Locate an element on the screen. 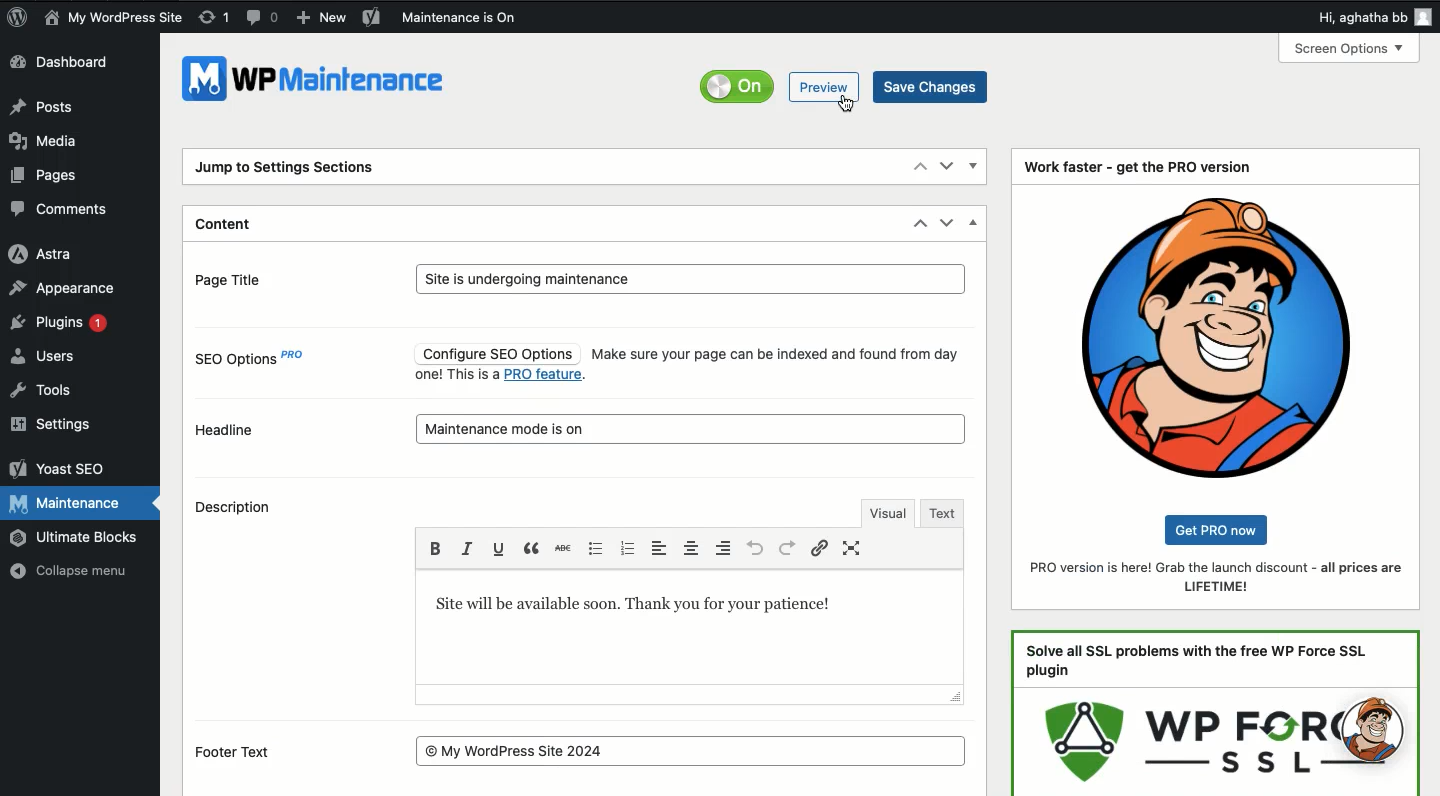 The width and height of the screenshot is (1440, 796). Description is located at coordinates (240, 510).